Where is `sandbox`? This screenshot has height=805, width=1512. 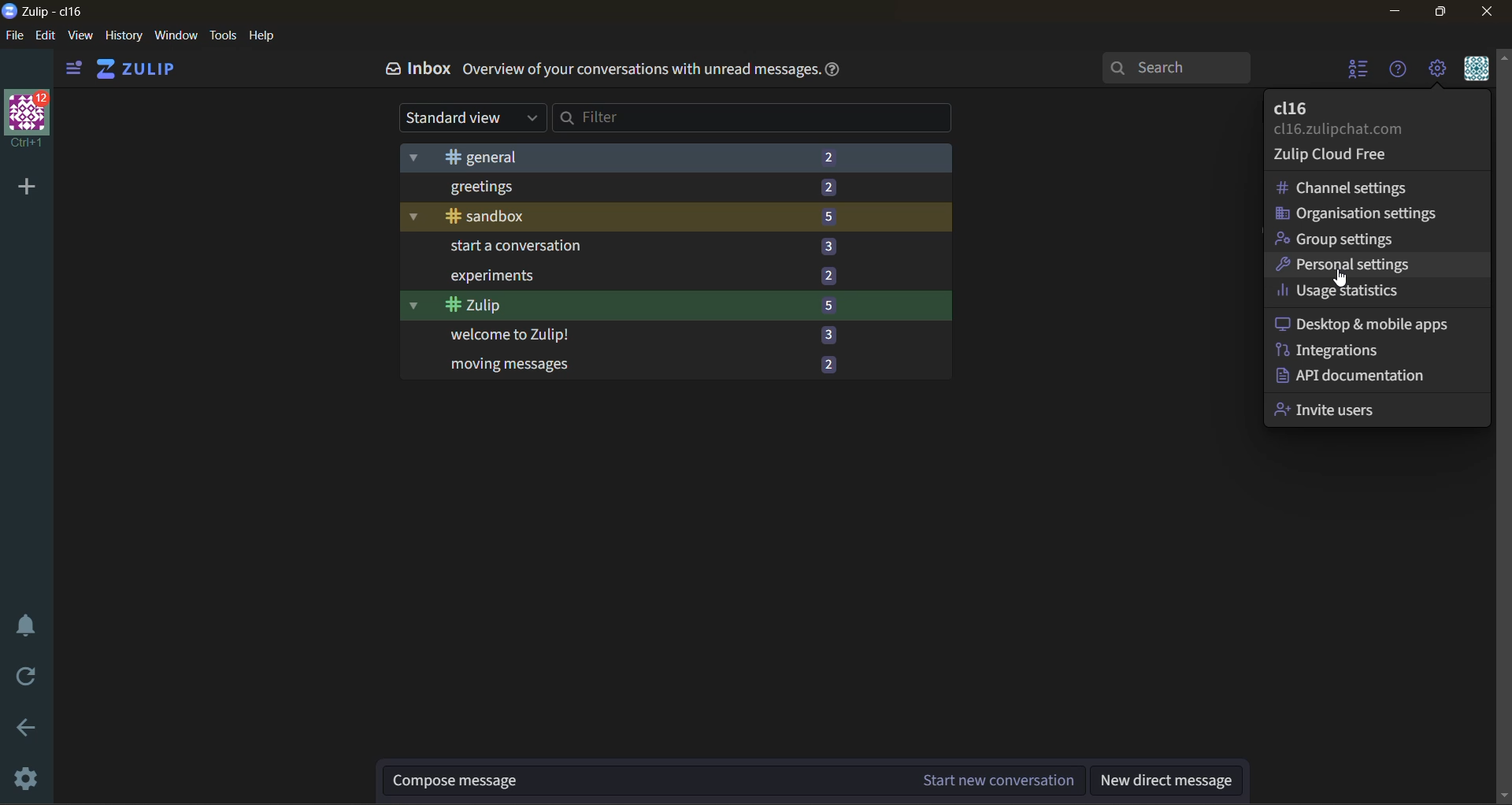 sandbox is located at coordinates (624, 217).